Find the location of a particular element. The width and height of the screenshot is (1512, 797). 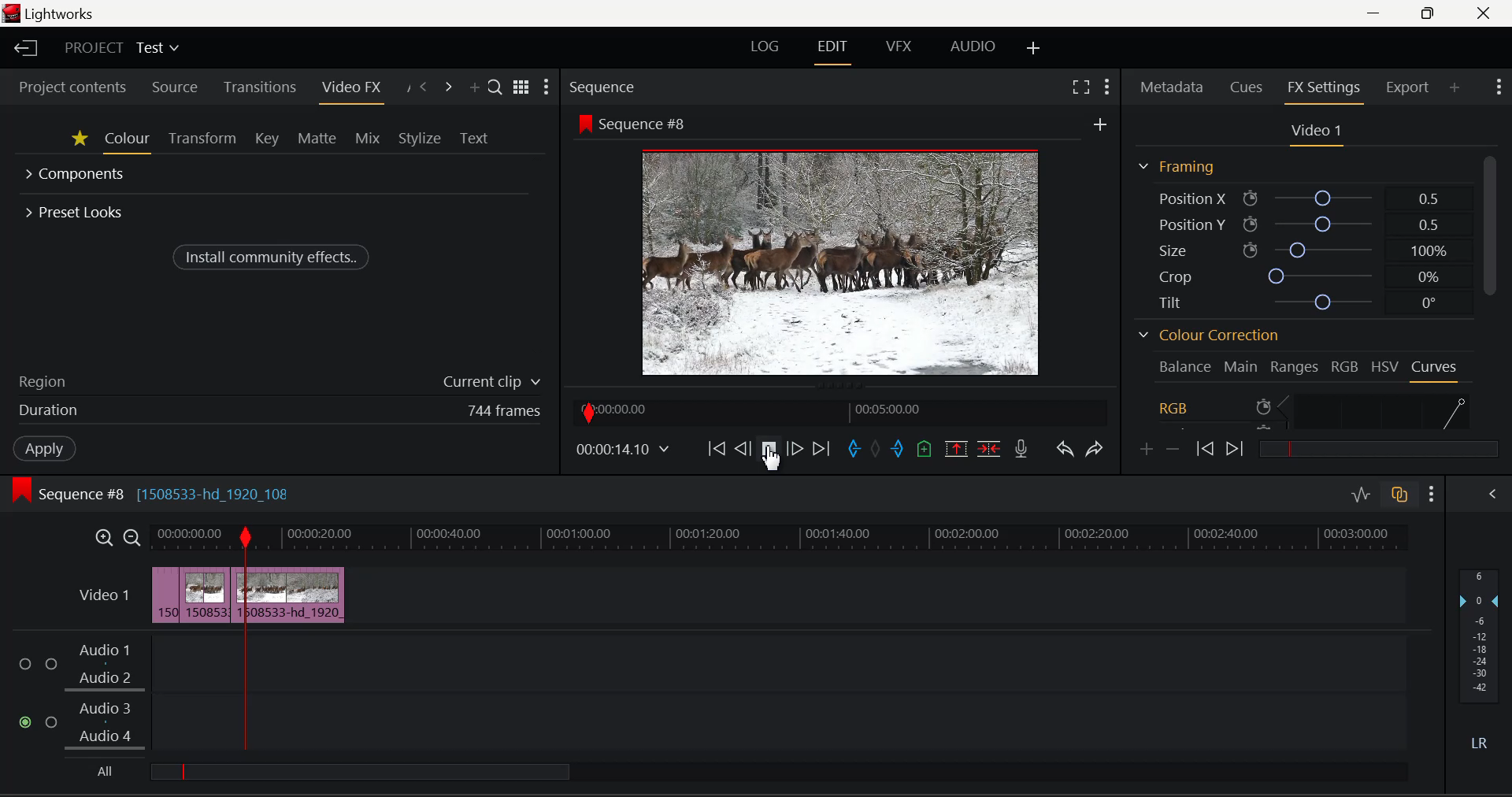

Remove Marked Section is located at coordinates (958, 448).